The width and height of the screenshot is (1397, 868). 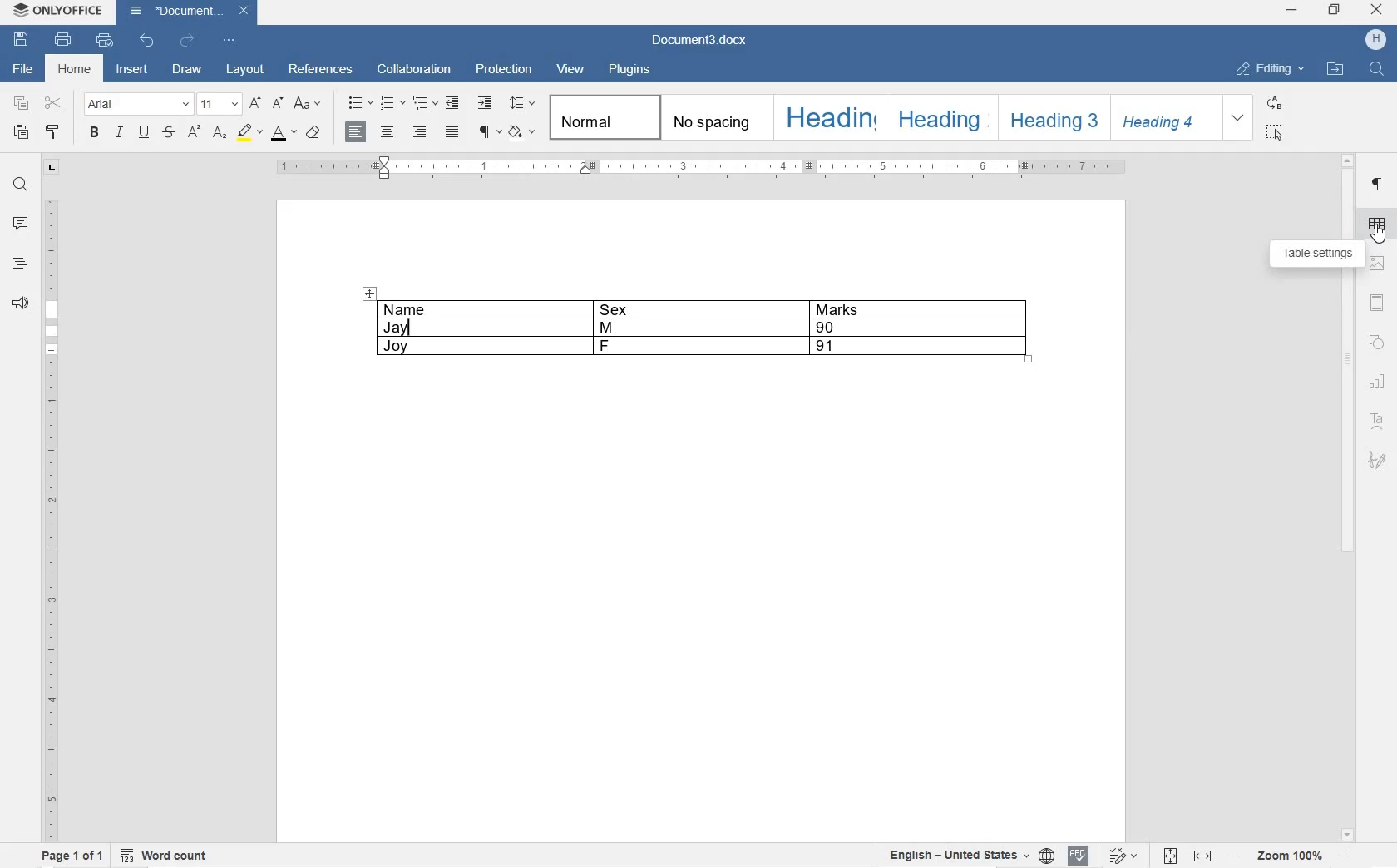 I want to click on COLLABORATION, so click(x=416, y=72).